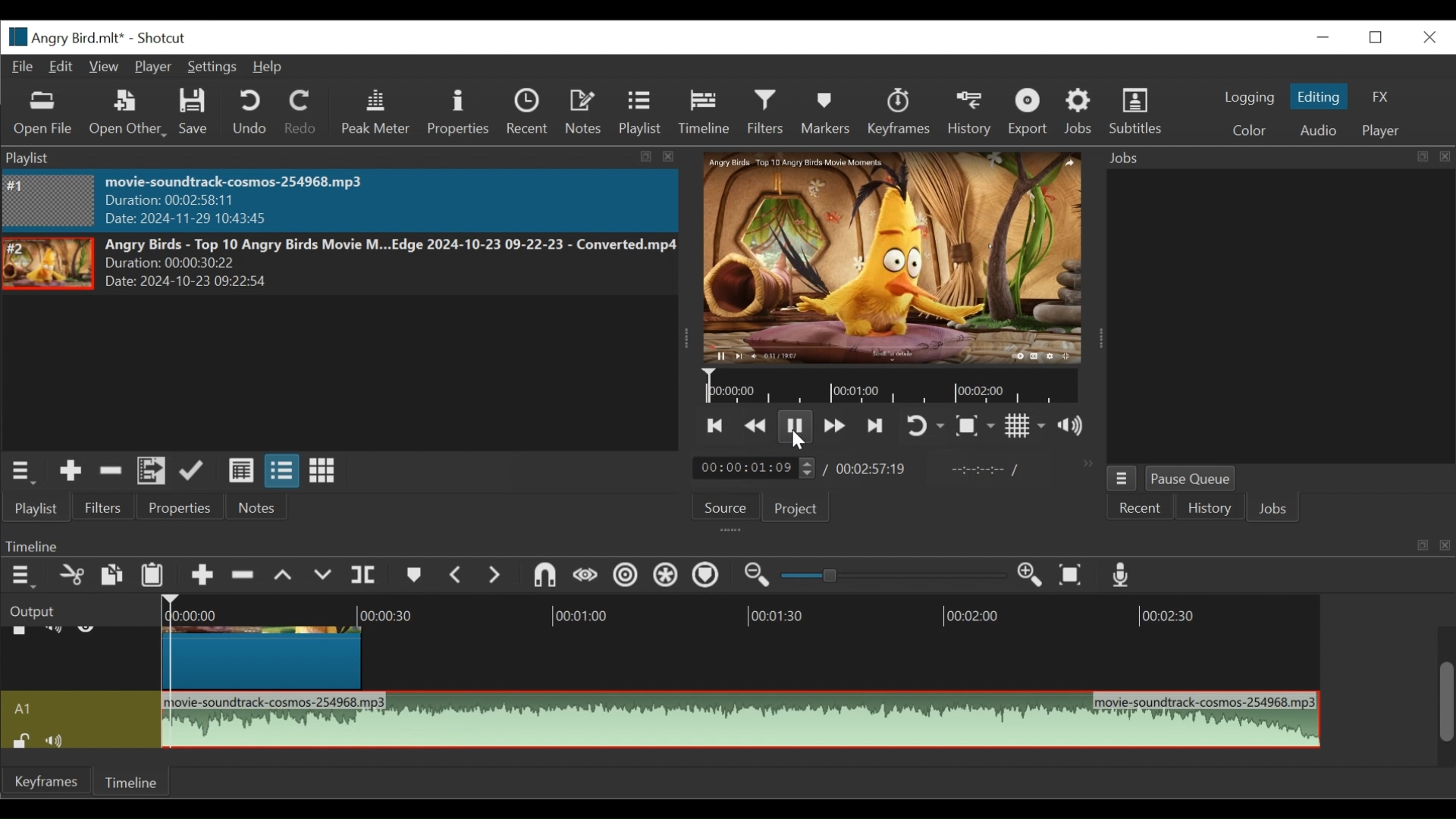 Image resolution: width=1456 pixels, height=819 pixels. What do you see at coordinates (977, 427) in the screenshot?
I see `Toggle Zoom` at bounding box center [977, 427].